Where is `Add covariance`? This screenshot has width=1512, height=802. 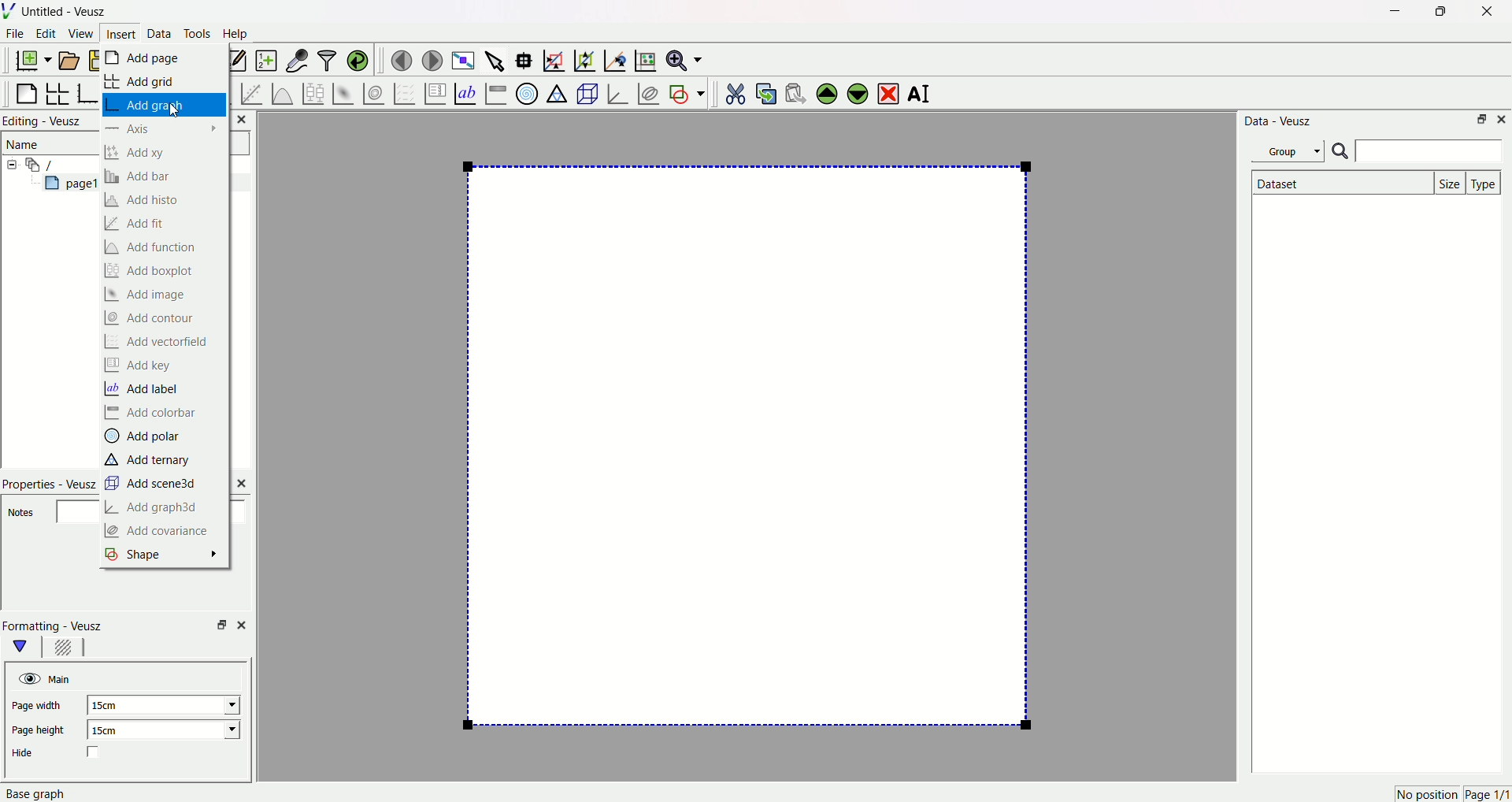
Add covariance is located at coordinates (161, 530).